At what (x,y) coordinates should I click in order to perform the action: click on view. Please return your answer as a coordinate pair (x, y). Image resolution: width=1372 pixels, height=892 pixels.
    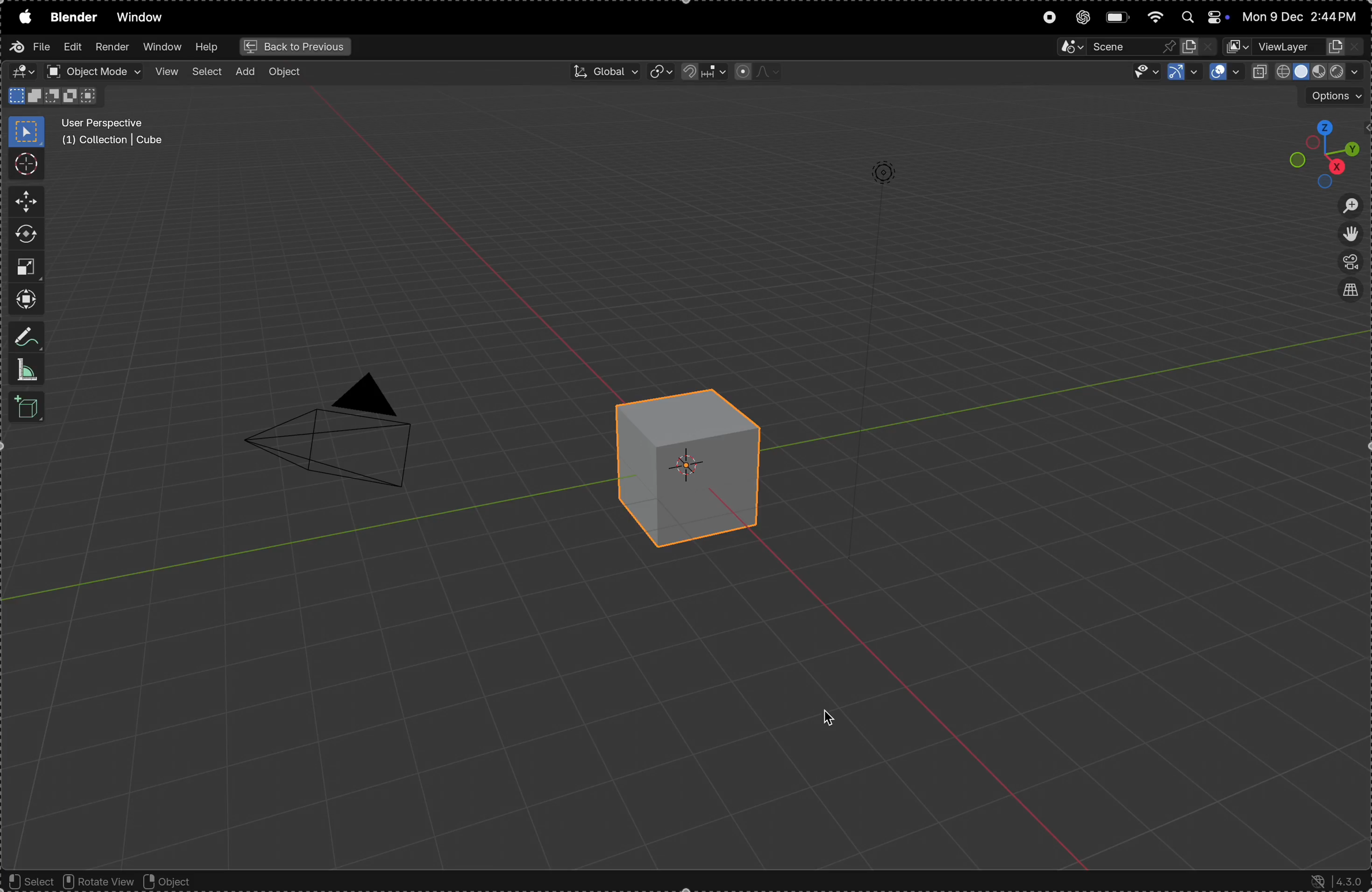
    Looking at the image, I should click on (167, 72).